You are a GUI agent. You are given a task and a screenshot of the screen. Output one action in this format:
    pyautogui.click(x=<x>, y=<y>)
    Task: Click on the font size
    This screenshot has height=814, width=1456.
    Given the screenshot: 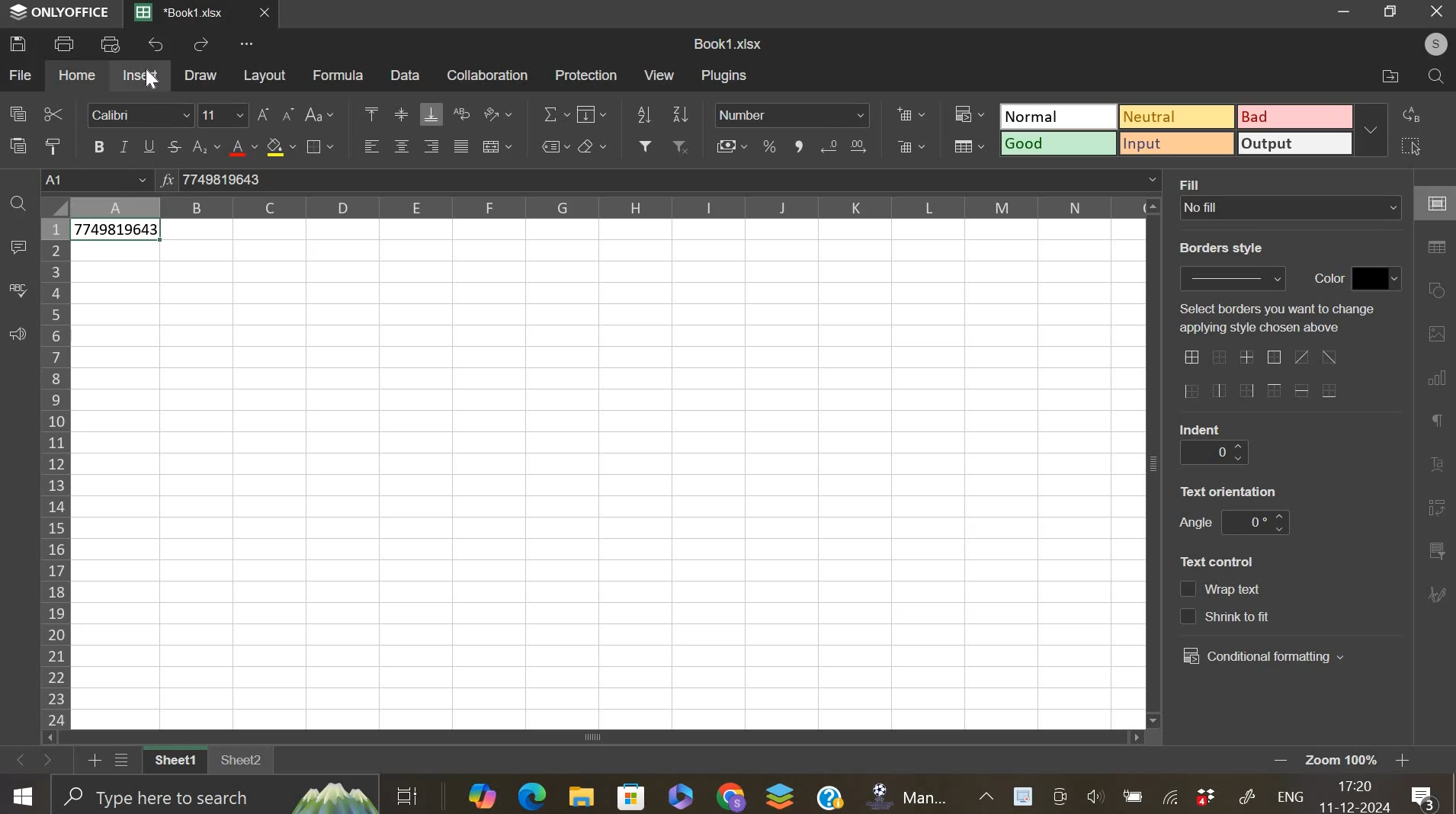 What is the action you would take?
    pyautogui.click(x=226, y=115)
    